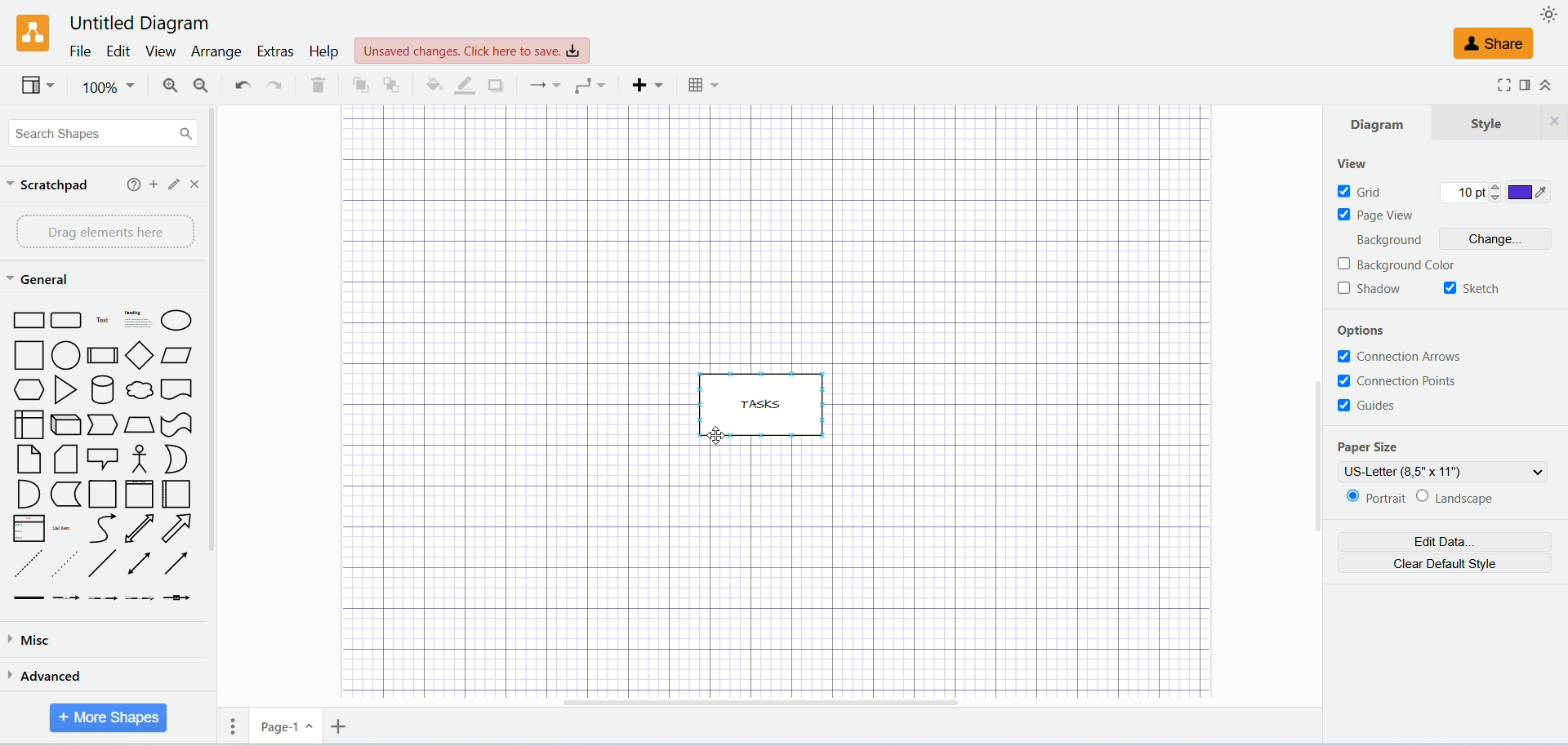  What do you see at coordinates (36, 85) in the screenshot?
I see `view` at bounding box center [36, 85].